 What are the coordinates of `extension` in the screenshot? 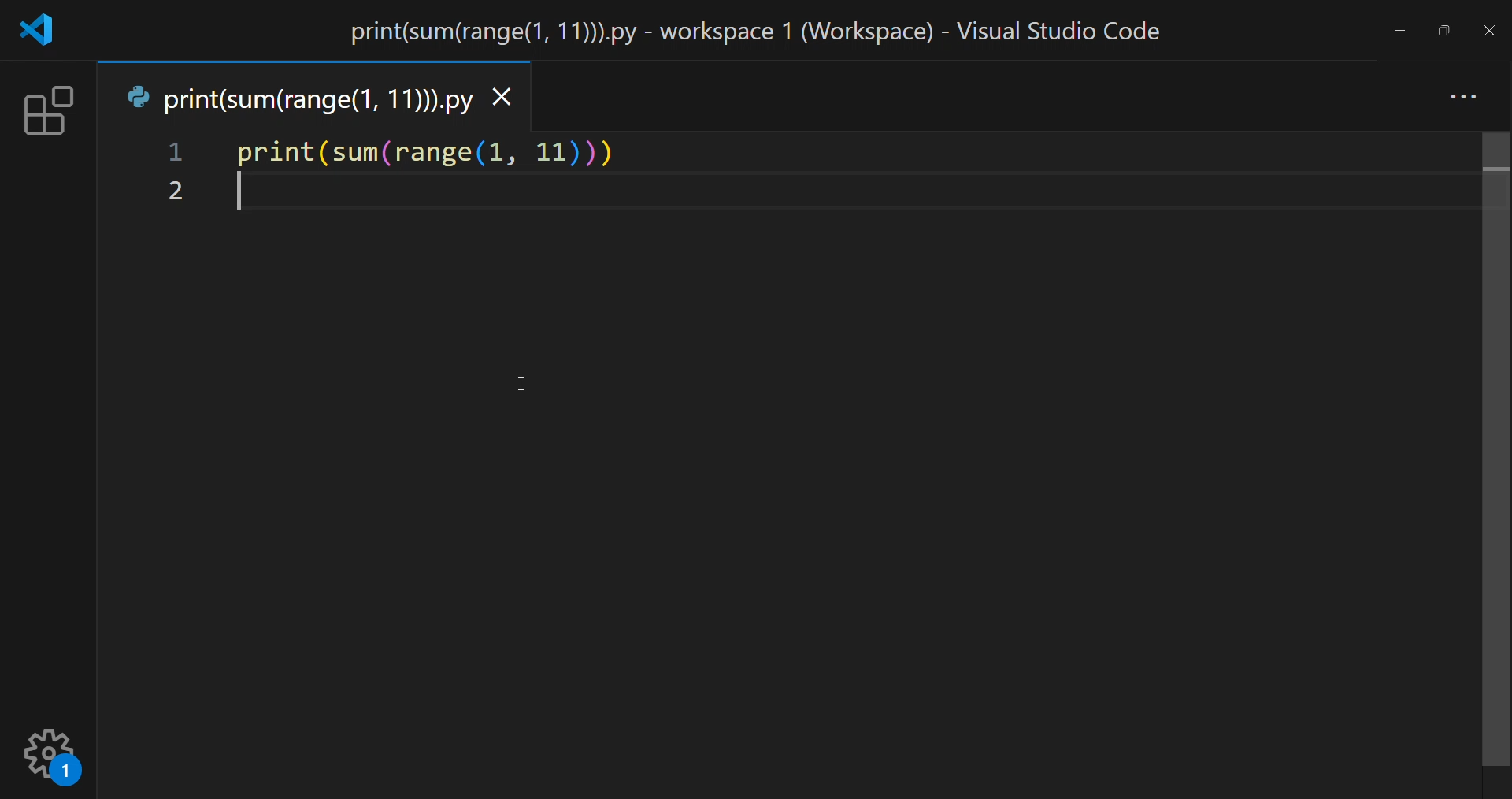 It's located at (48, 109).